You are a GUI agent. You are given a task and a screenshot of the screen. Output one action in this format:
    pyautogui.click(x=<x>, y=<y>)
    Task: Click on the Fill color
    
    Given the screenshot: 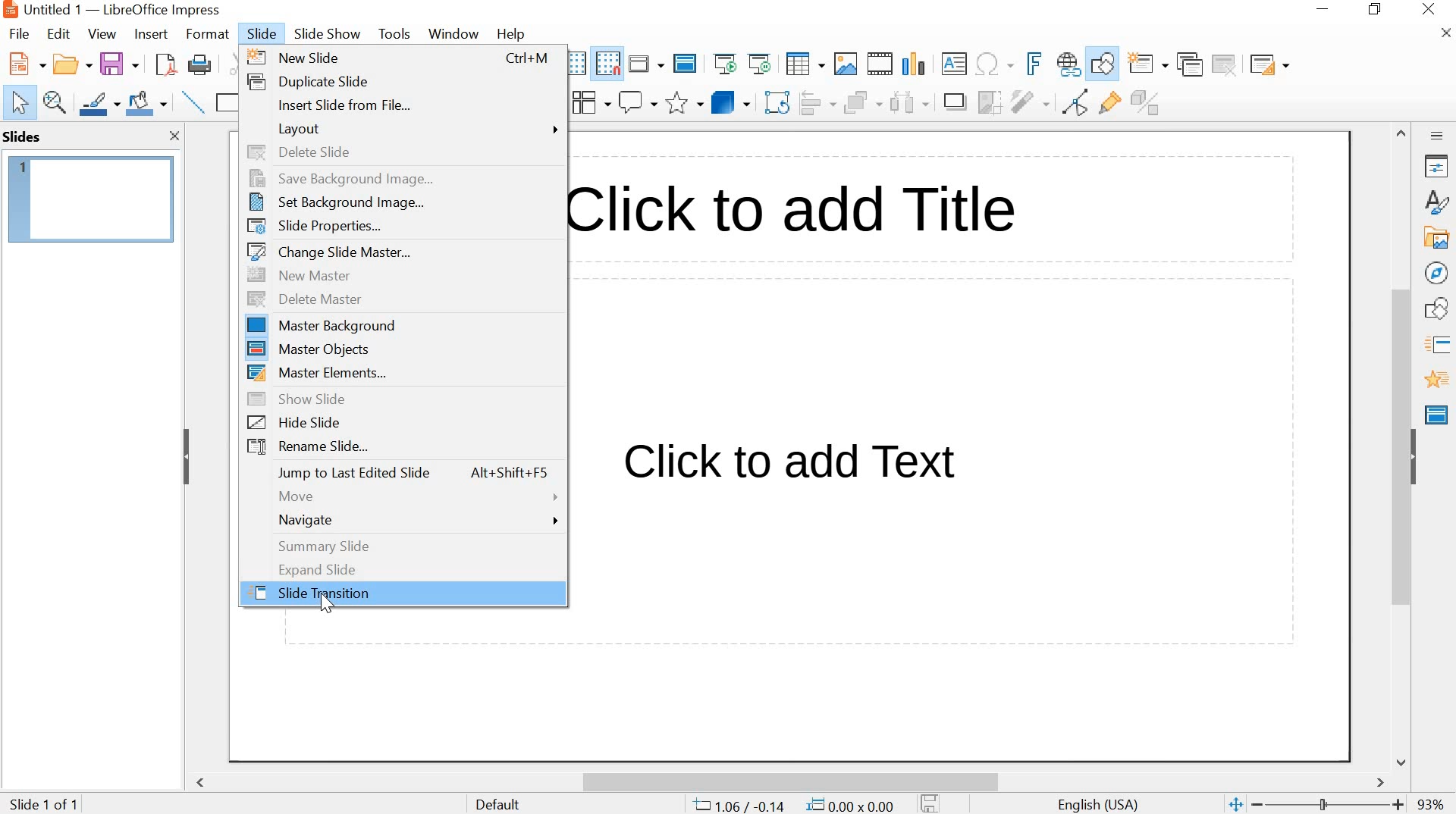 What is the action you would take?
    pyautogui.click(x=146, y=103)
    